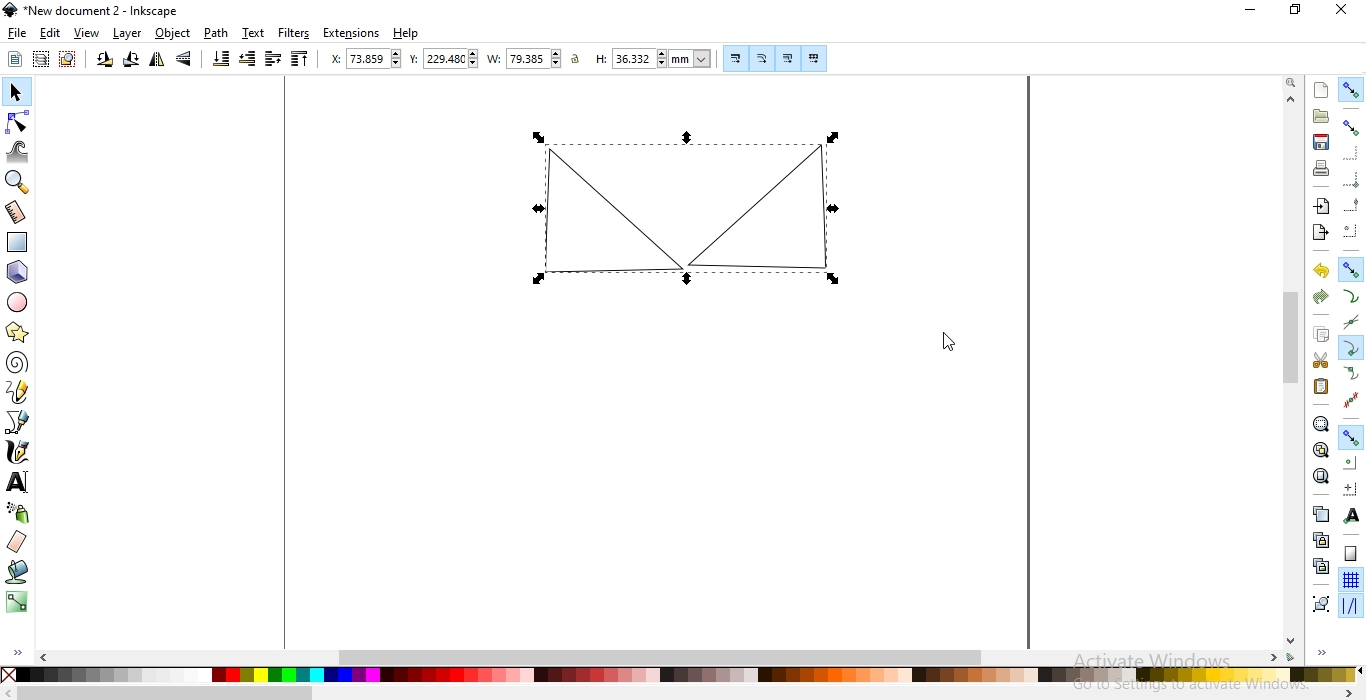 Image resolution: width=1366 pixels, height=700 pixels. What do you see at coordinates (19, 424) in the screenshot?
I see `draw bezier curves and straight lines` at bounding box center [19, 424].